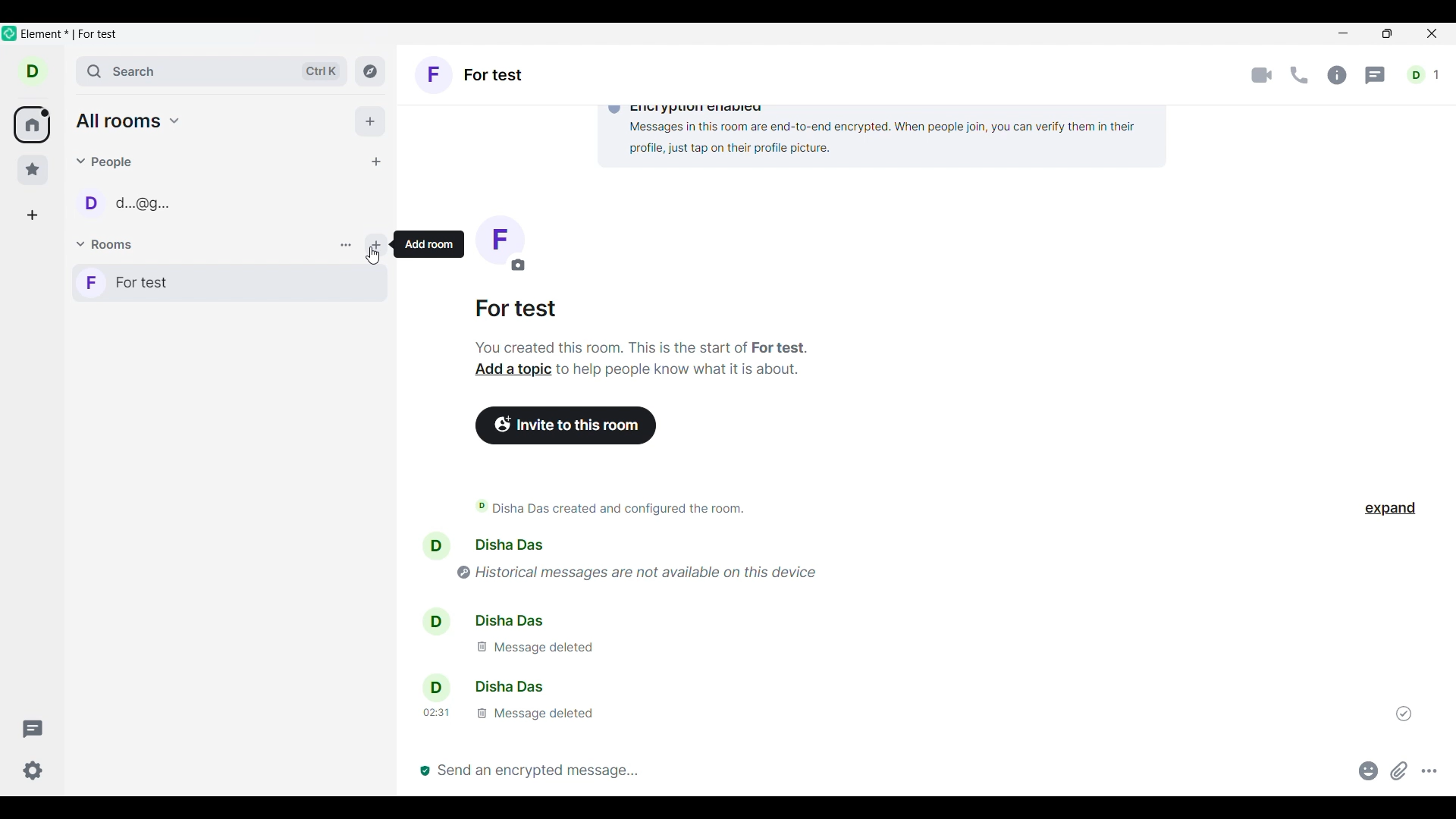  Describe the element at coordinates (33, 170) in the screenshot. I see `Favorites` at that location.